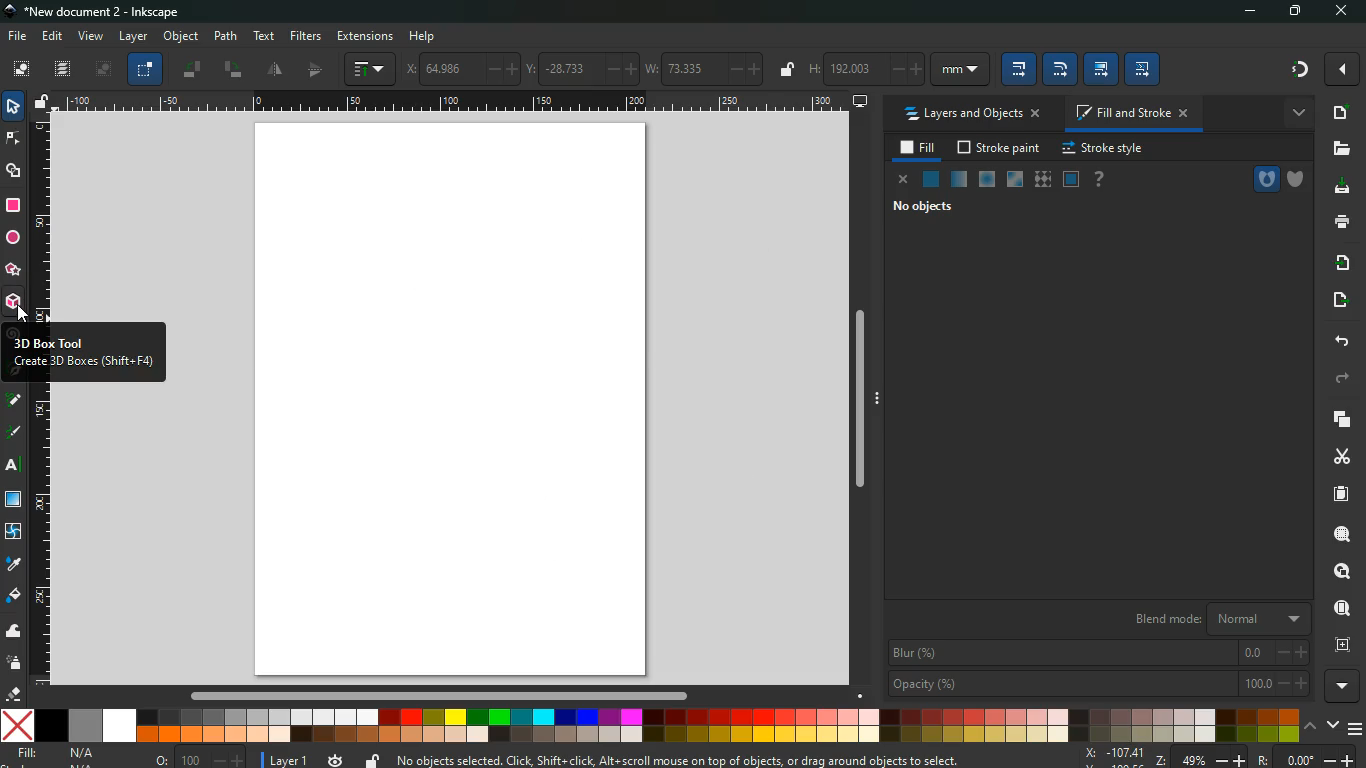 Image resolution: width=1366 pixels, height=768 pixels. What do you see at coordinates (14, 633) in the screenshot?
I see `wave` at bounding box center [14, 633].